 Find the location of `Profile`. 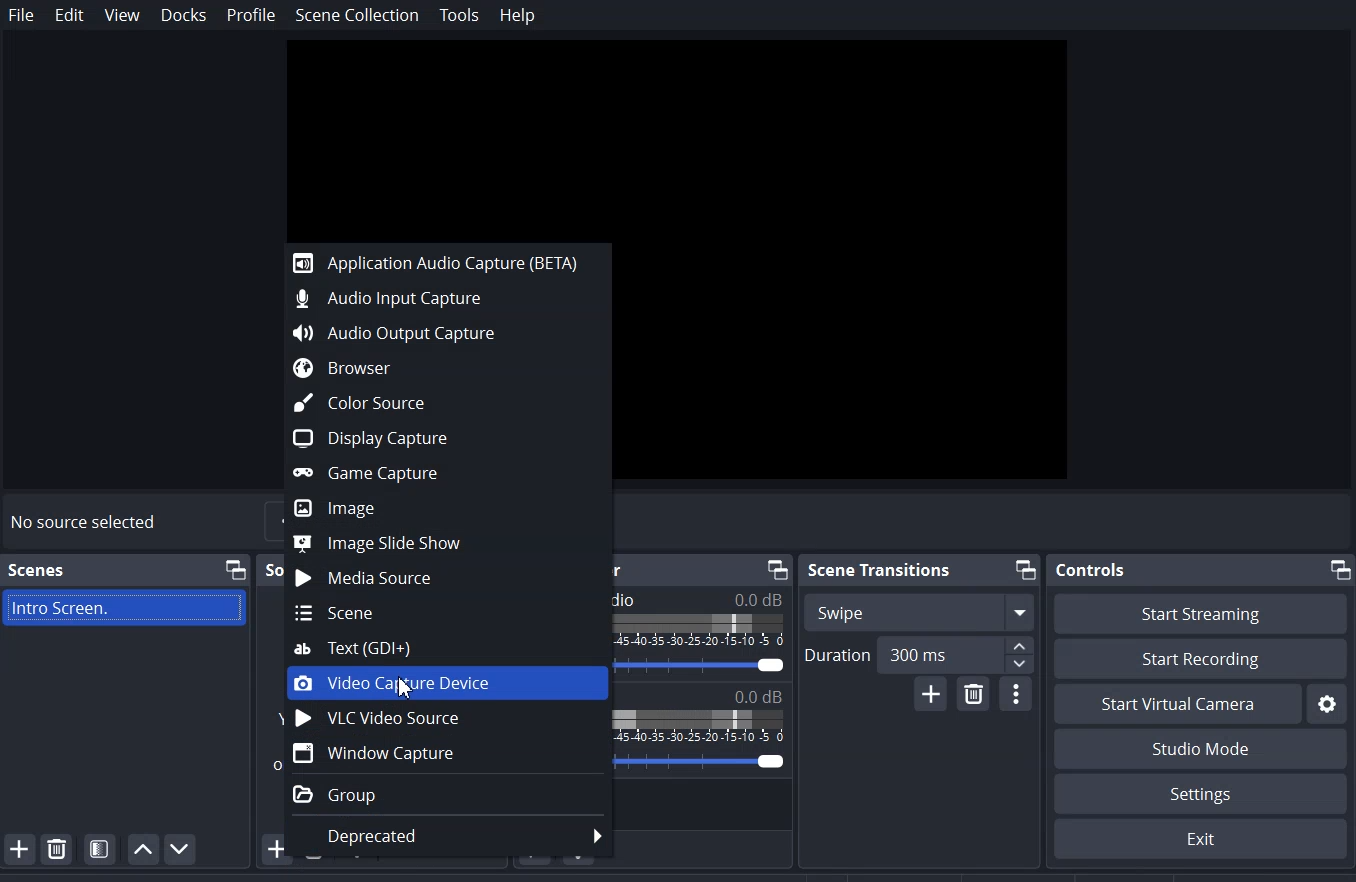

Profile is located at coordinates (251, 15).